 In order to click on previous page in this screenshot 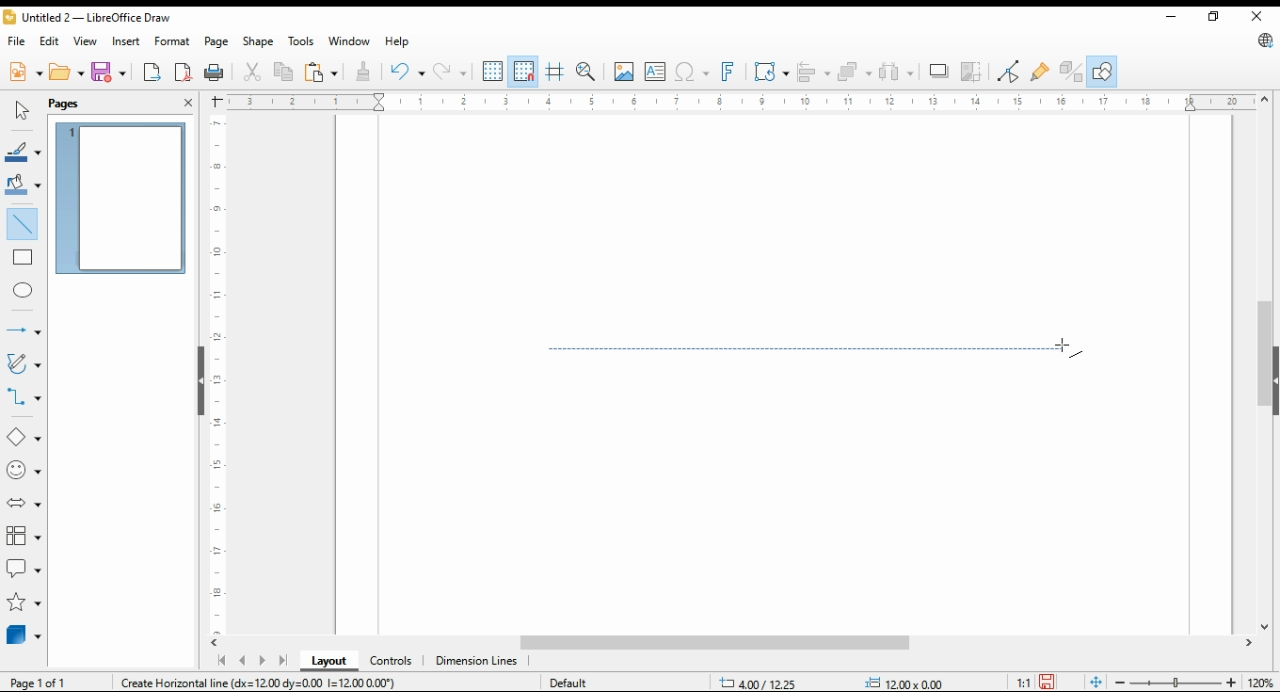, I will do `click(243, 662)`.